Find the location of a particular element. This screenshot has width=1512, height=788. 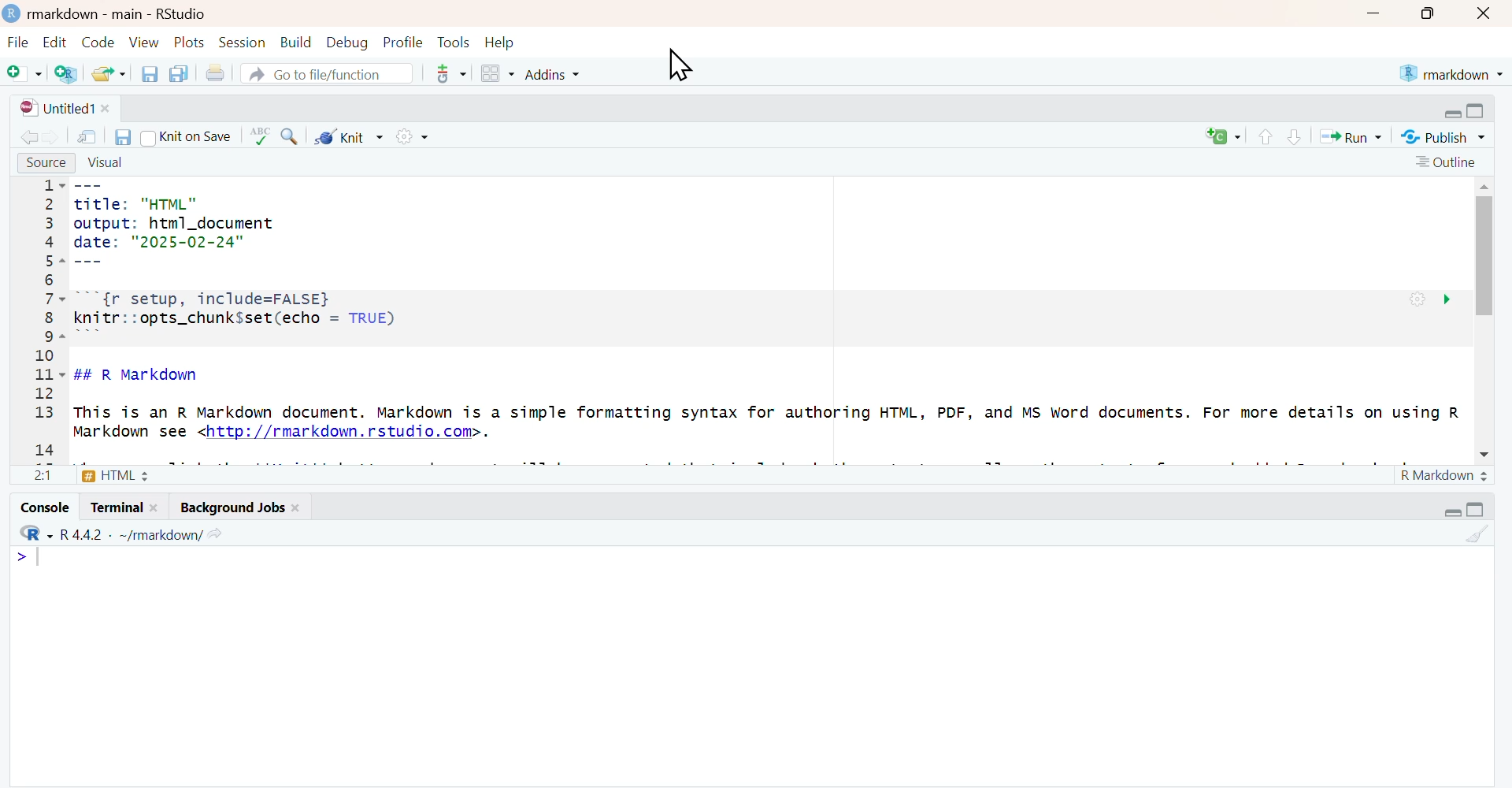

Show in new window is located at coordinates (87, 136).